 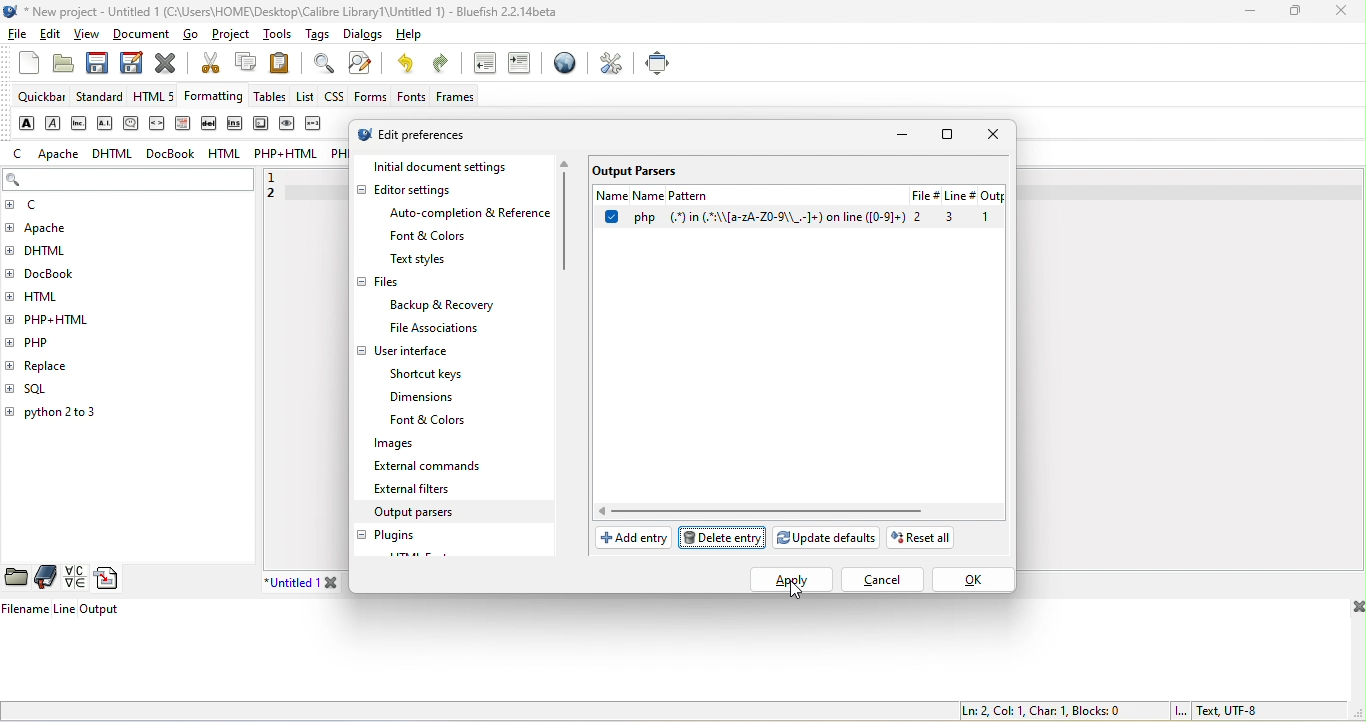 What do you see at coordinates (921, 194) in the screenshot?
I see `File` at bounding box center [921, 194].